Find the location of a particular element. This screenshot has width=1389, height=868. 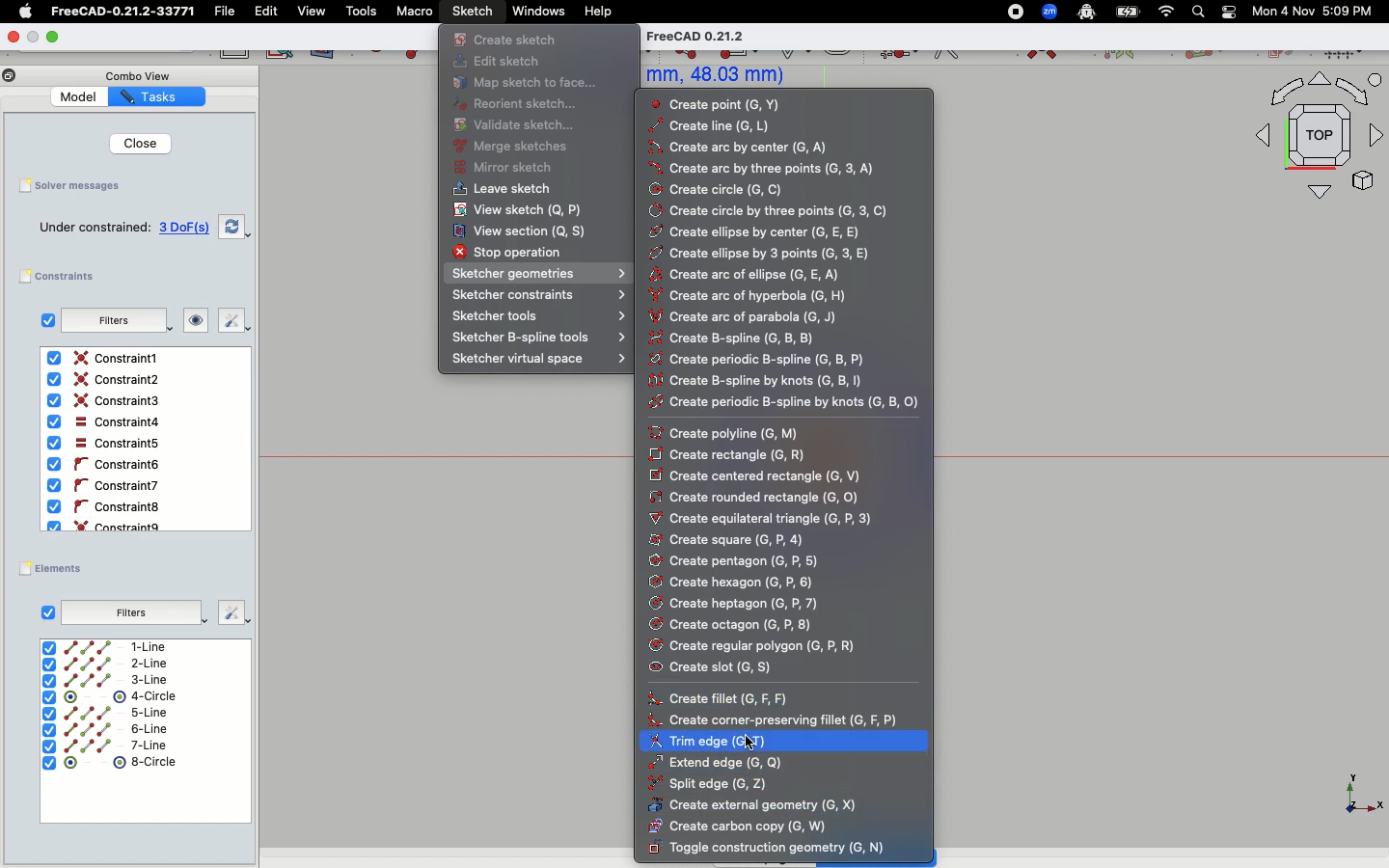

Create centered rectangle is located at coordinates (758, 476).